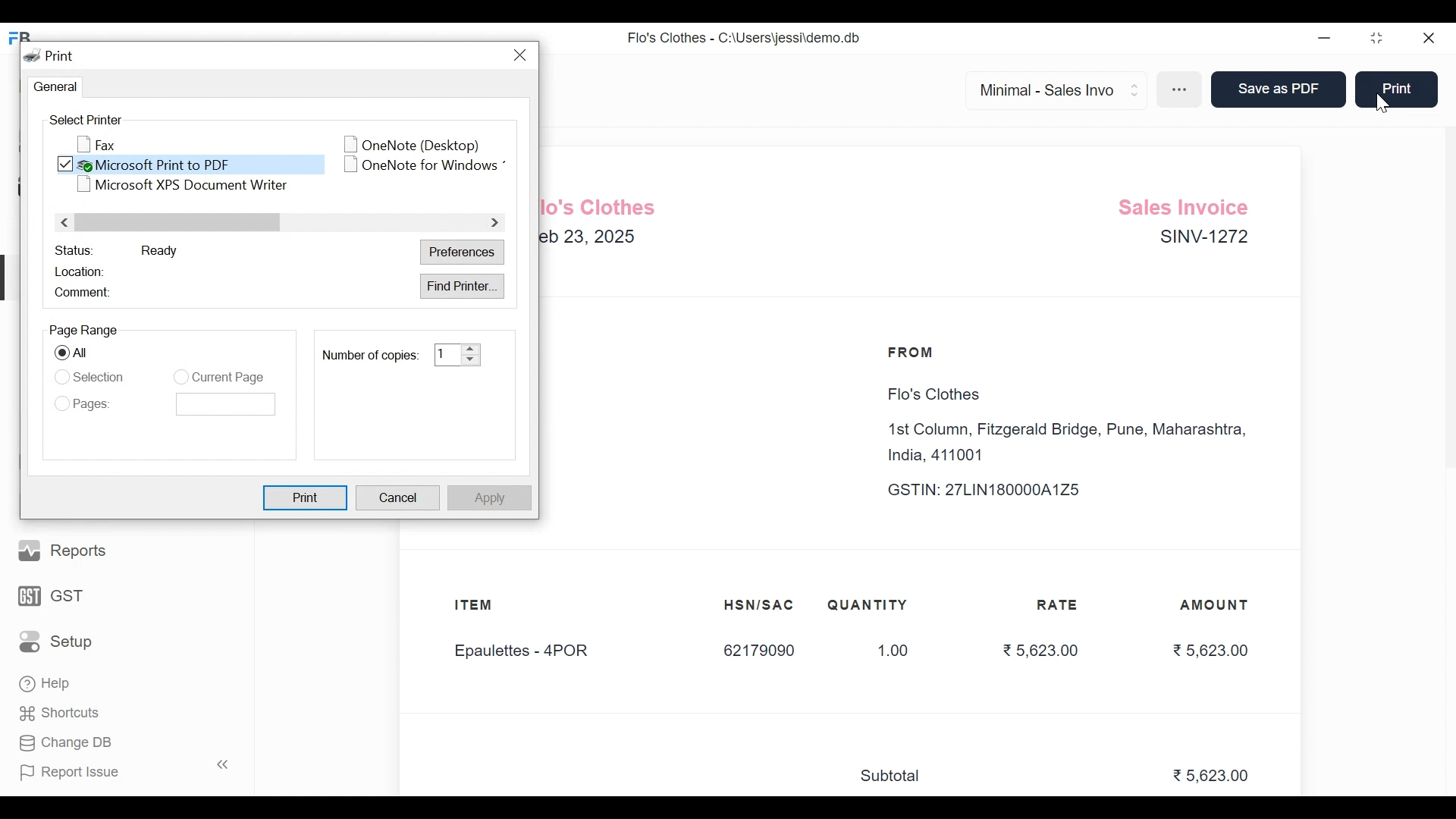 Image resolution: width=1456 pixels, height=819 pixels. What do you see at coordinates (120, 771) in the screenshot?
I see `Report Issue` at bounding box center [120, 771].